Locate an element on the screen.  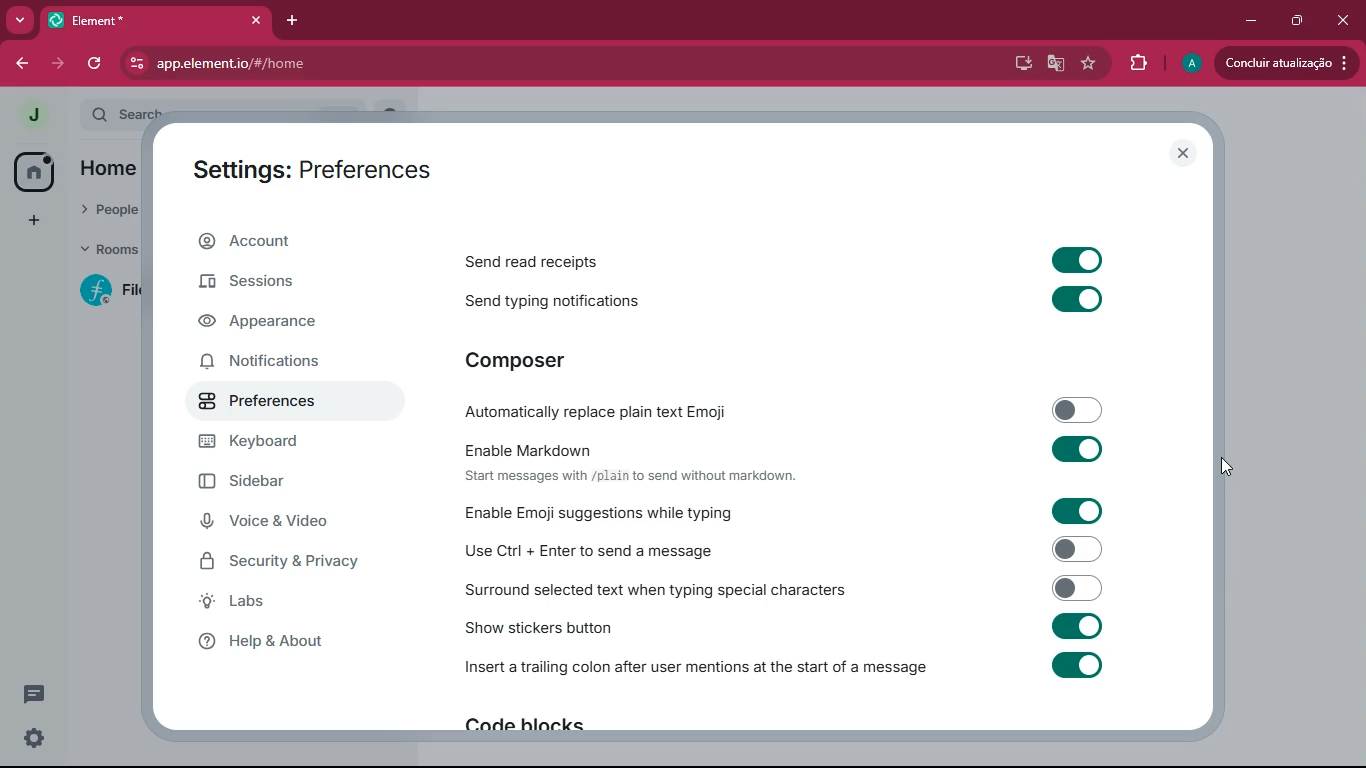
home is located at coordinates (34, 171).